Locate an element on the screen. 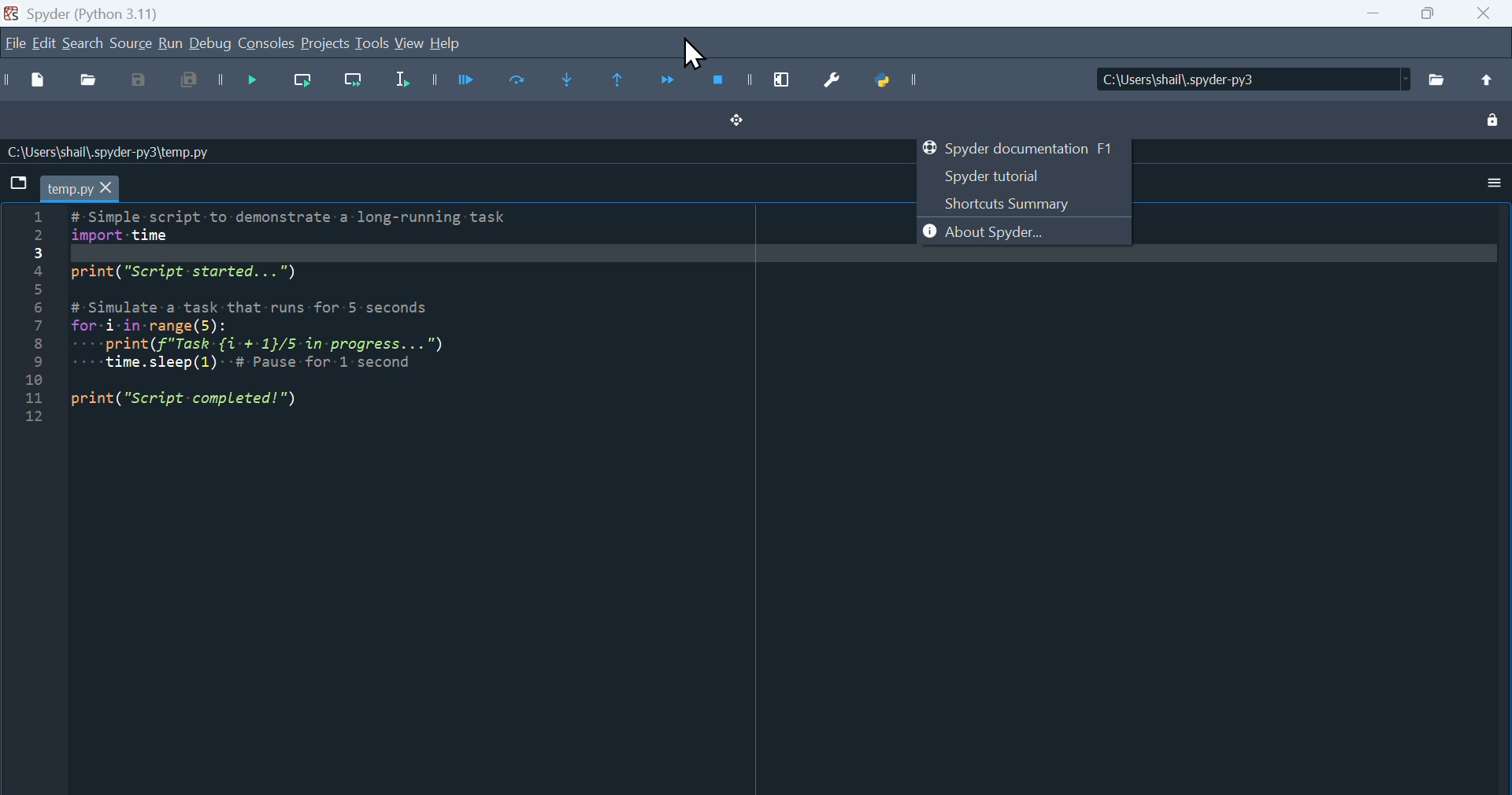 The height and width of the screenshot is (795, 1512). continue execution until same function returns is located at coordinates (624, 82).